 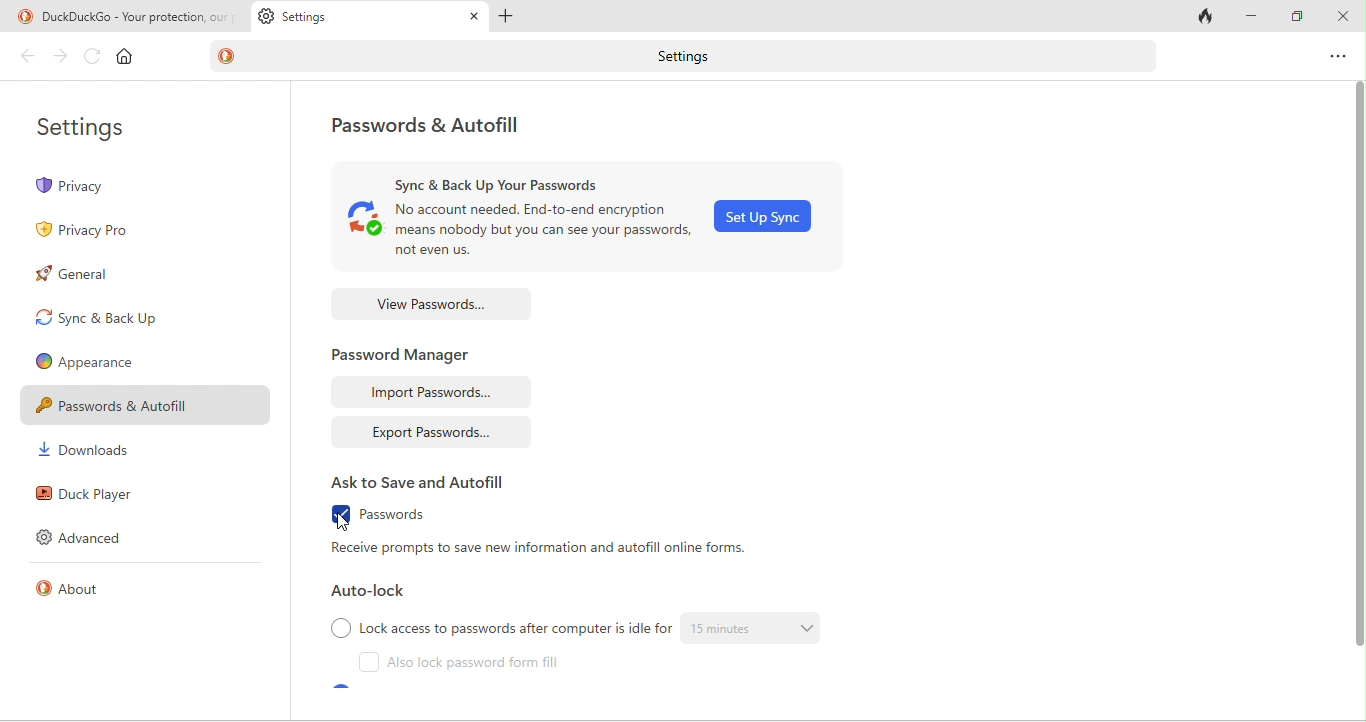 I want to click on duckduckgo-your protection our priority, so click(x=139, y=14).